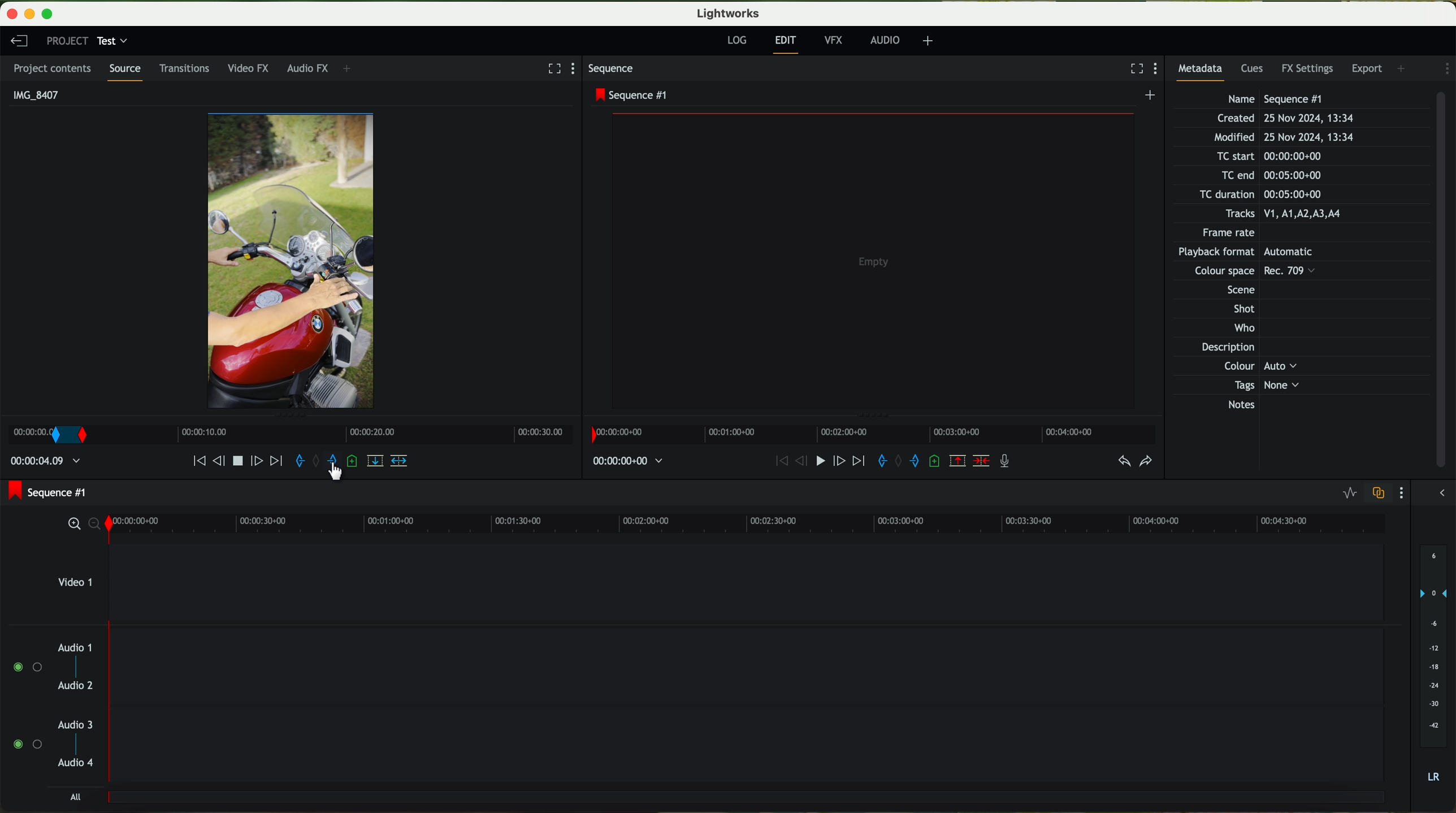 The height and width of the screenshot is (813, 1456). Describe the element at coordinates (251, 70) in the screenshot. I see `video FX` at that location.